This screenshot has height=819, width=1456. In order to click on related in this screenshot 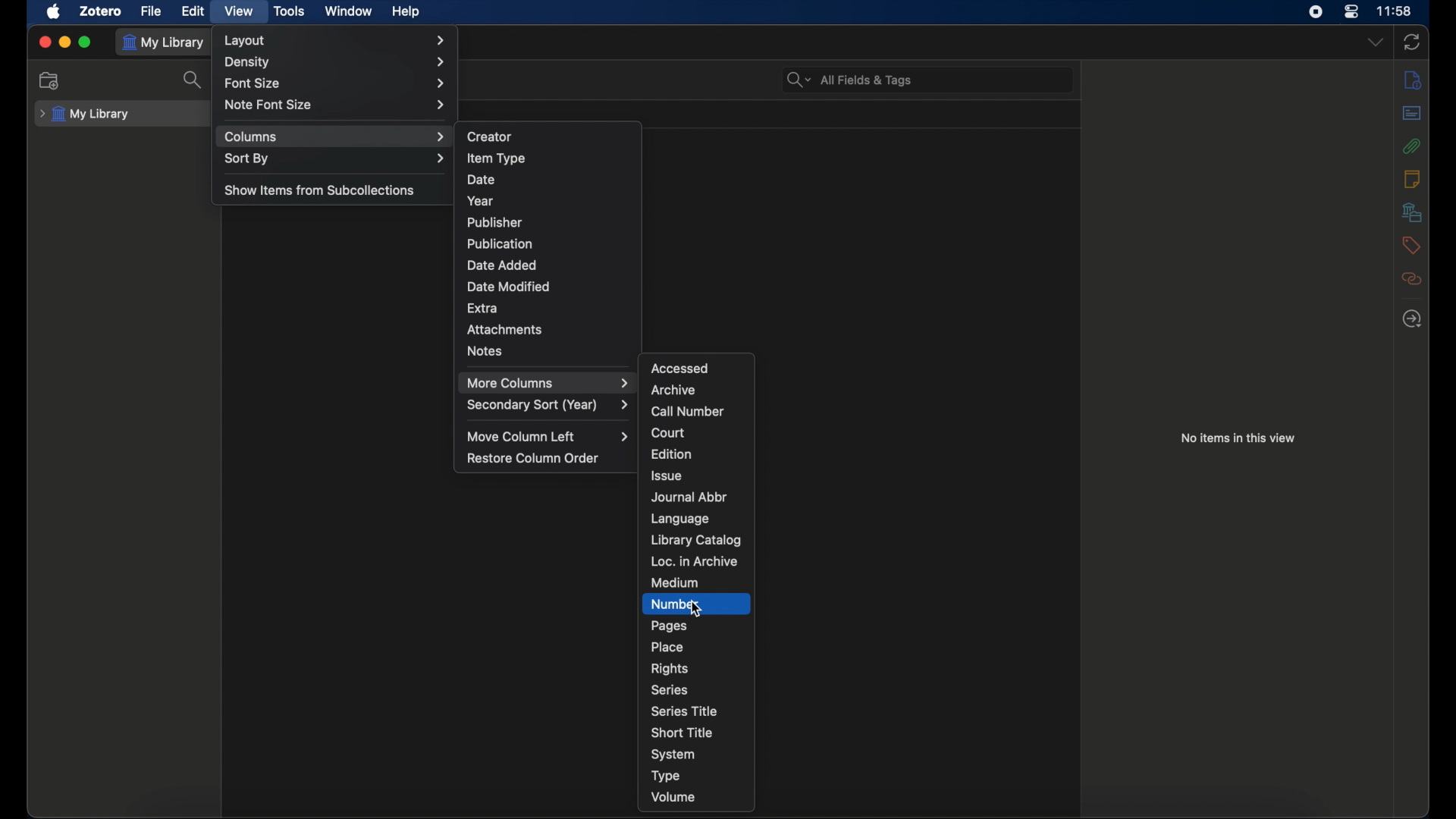, I will do `click(1412, 279)`.